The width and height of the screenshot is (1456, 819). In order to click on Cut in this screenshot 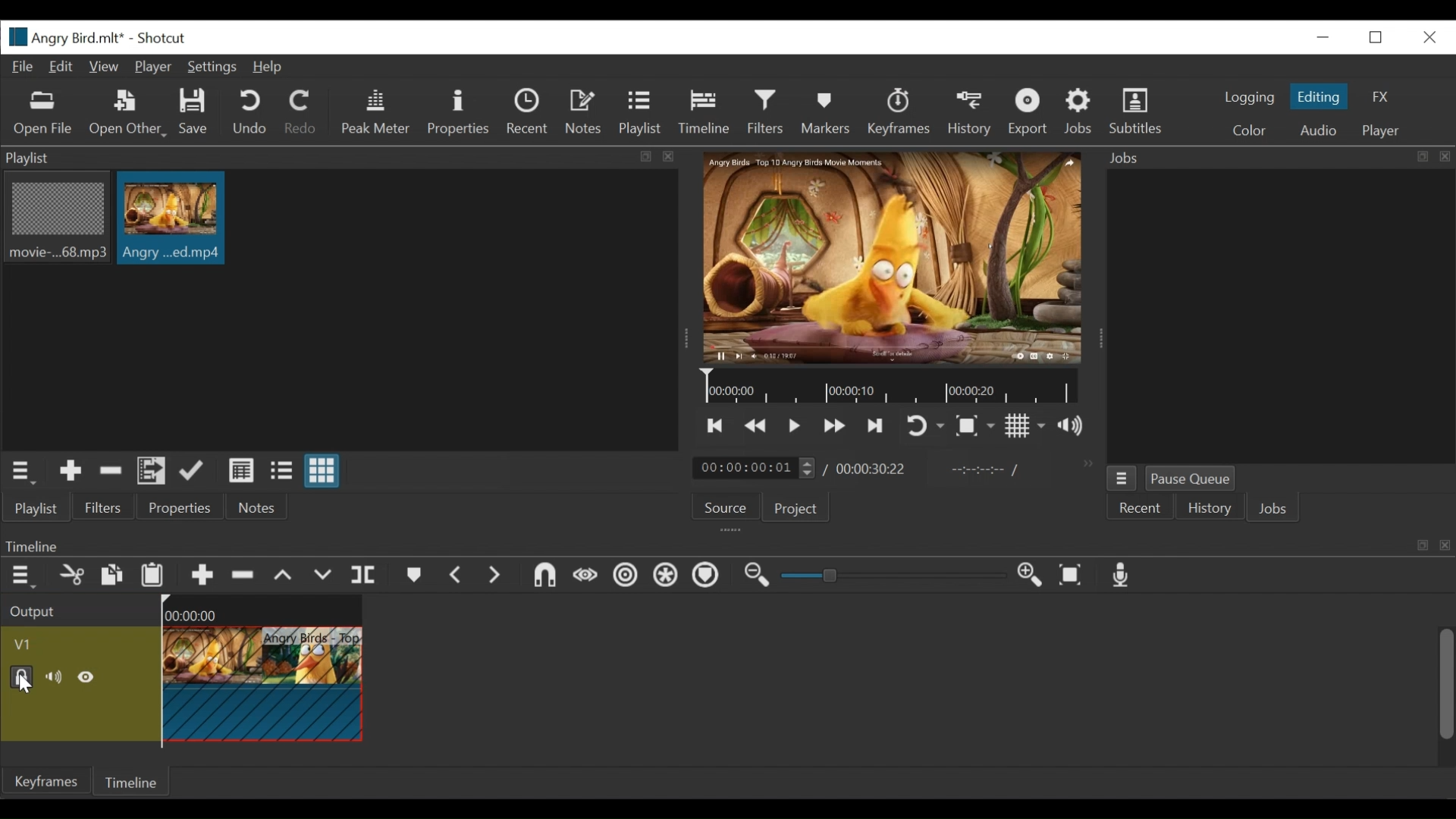, I will do `click(71, 576)`.